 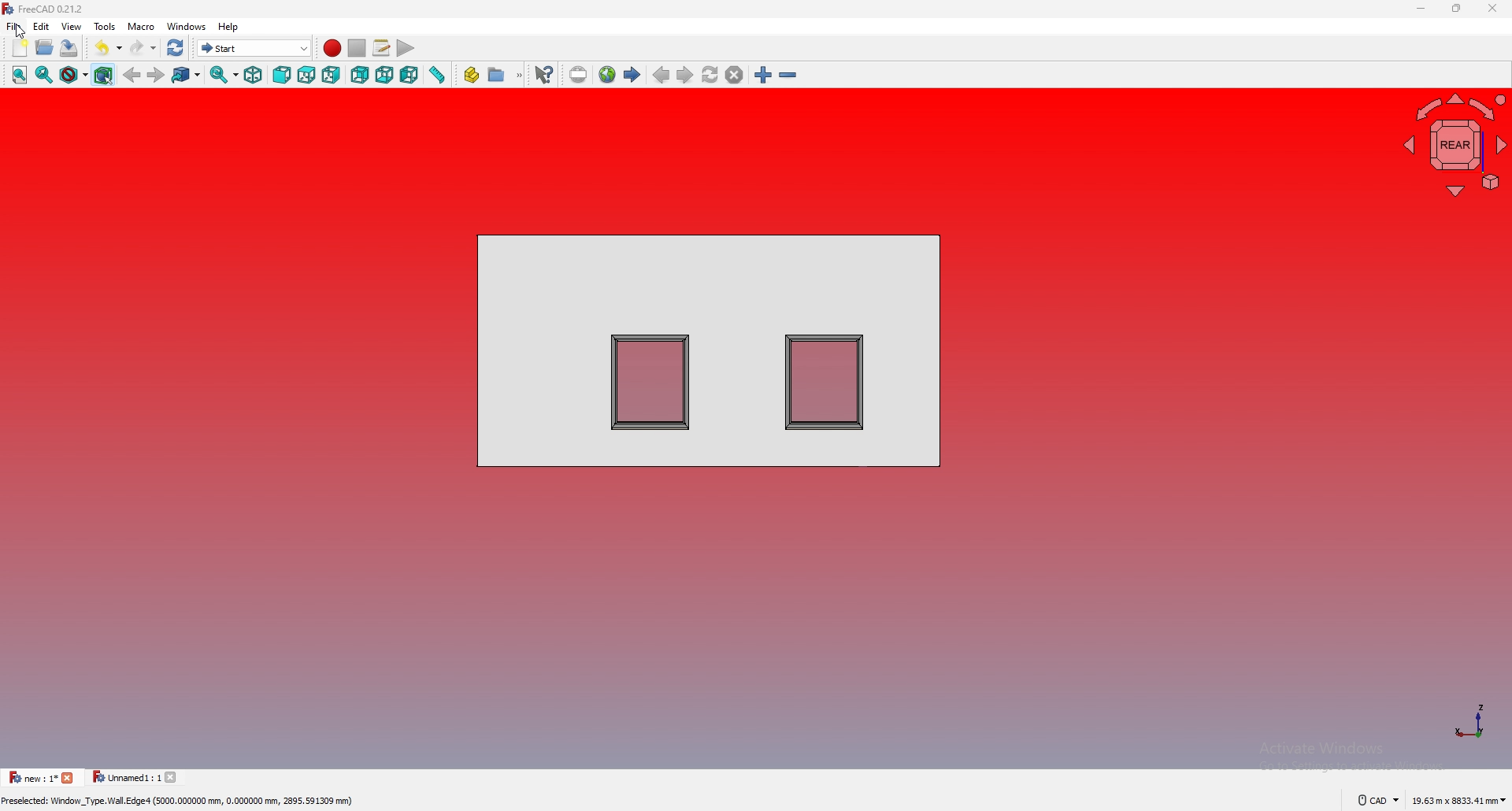 I want to click on back, so click(x=360, y=75).